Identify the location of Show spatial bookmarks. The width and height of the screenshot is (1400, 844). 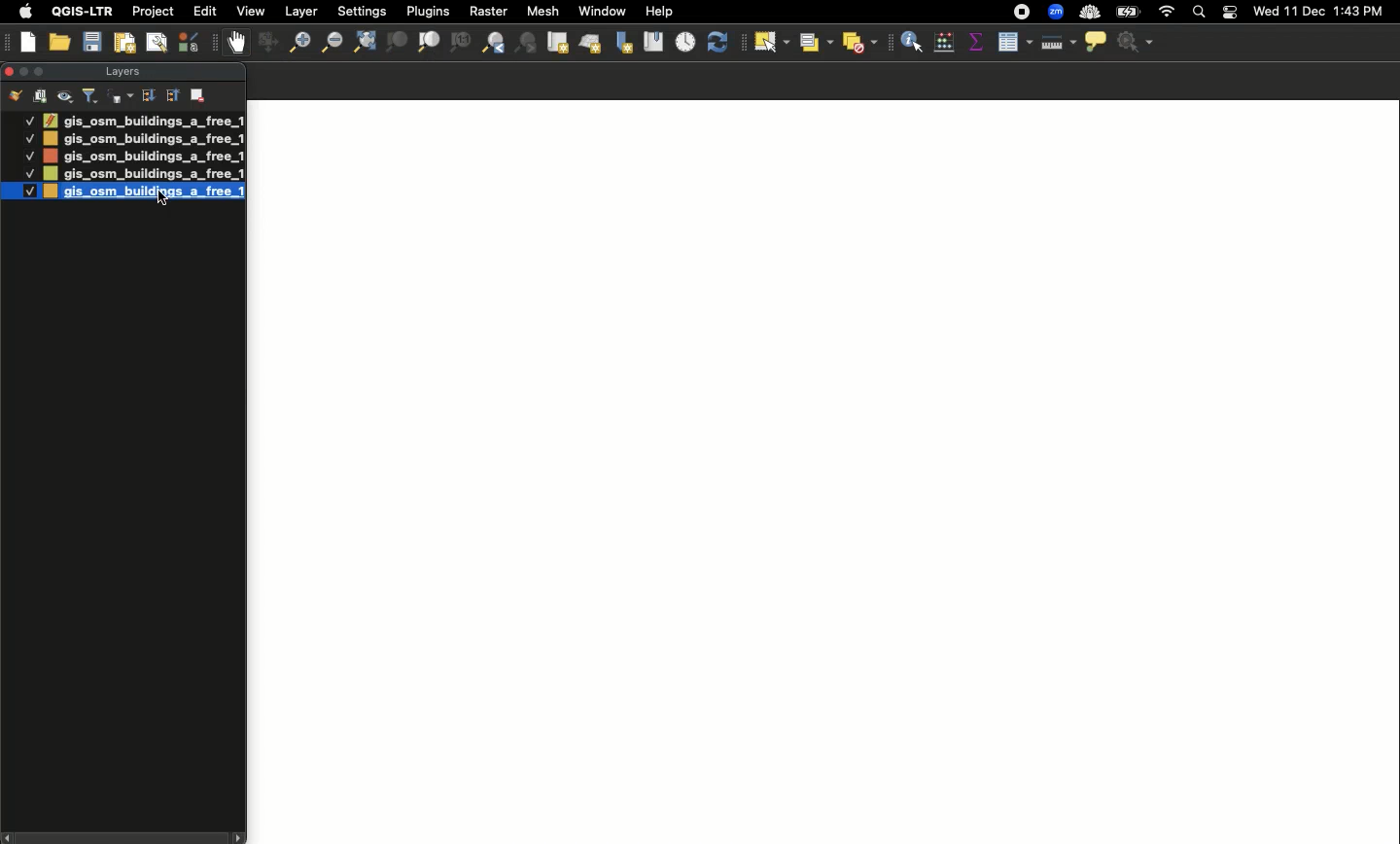
(653, 40).